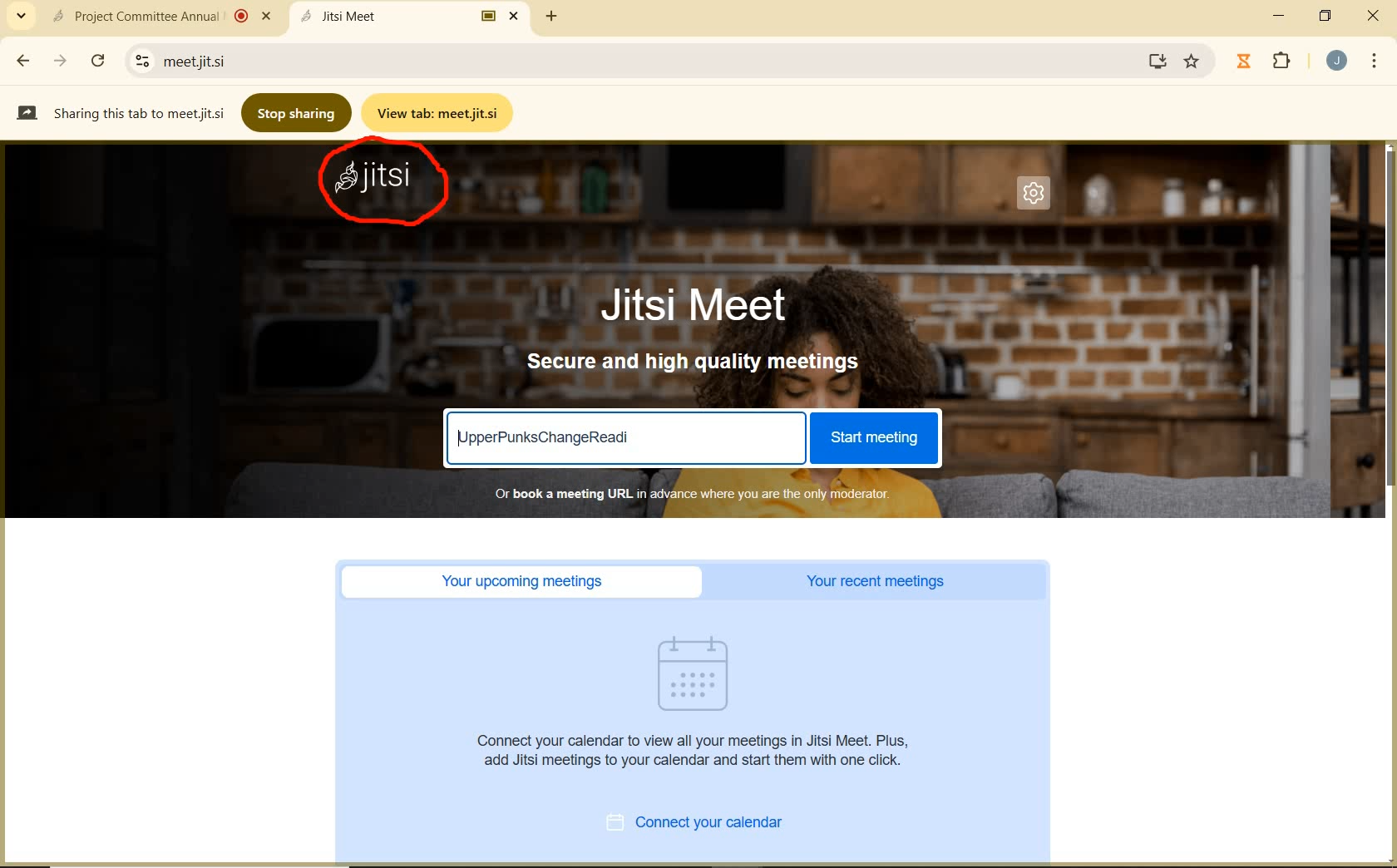 This screenshot has height=868, width=1397. What do you see at coordinates (1267, 62) in the screenshot?
I see `EXTENSION` at bounding box center [1267, 62].